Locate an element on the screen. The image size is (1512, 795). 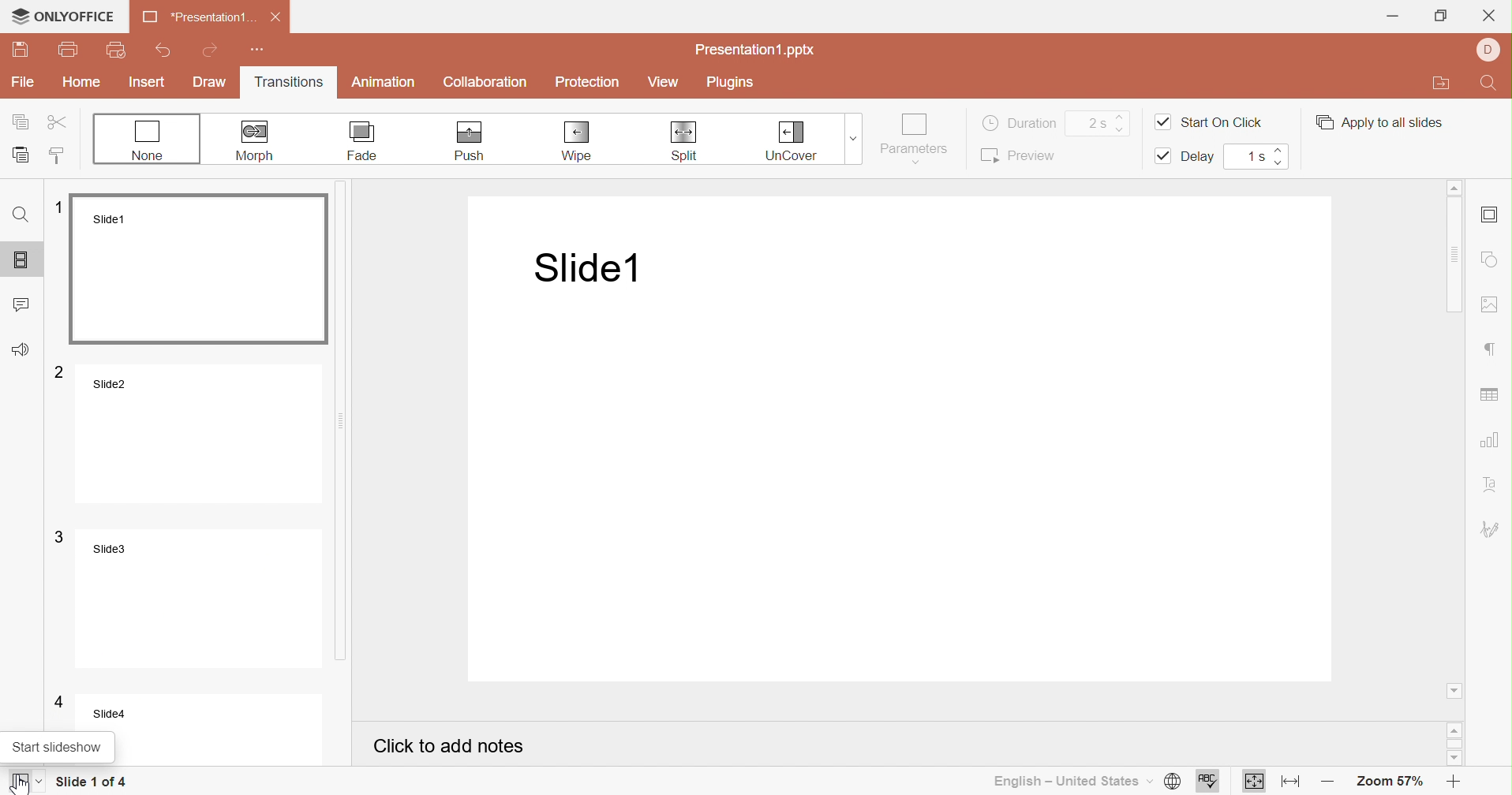
1s is located at coordinates (1255, 155).